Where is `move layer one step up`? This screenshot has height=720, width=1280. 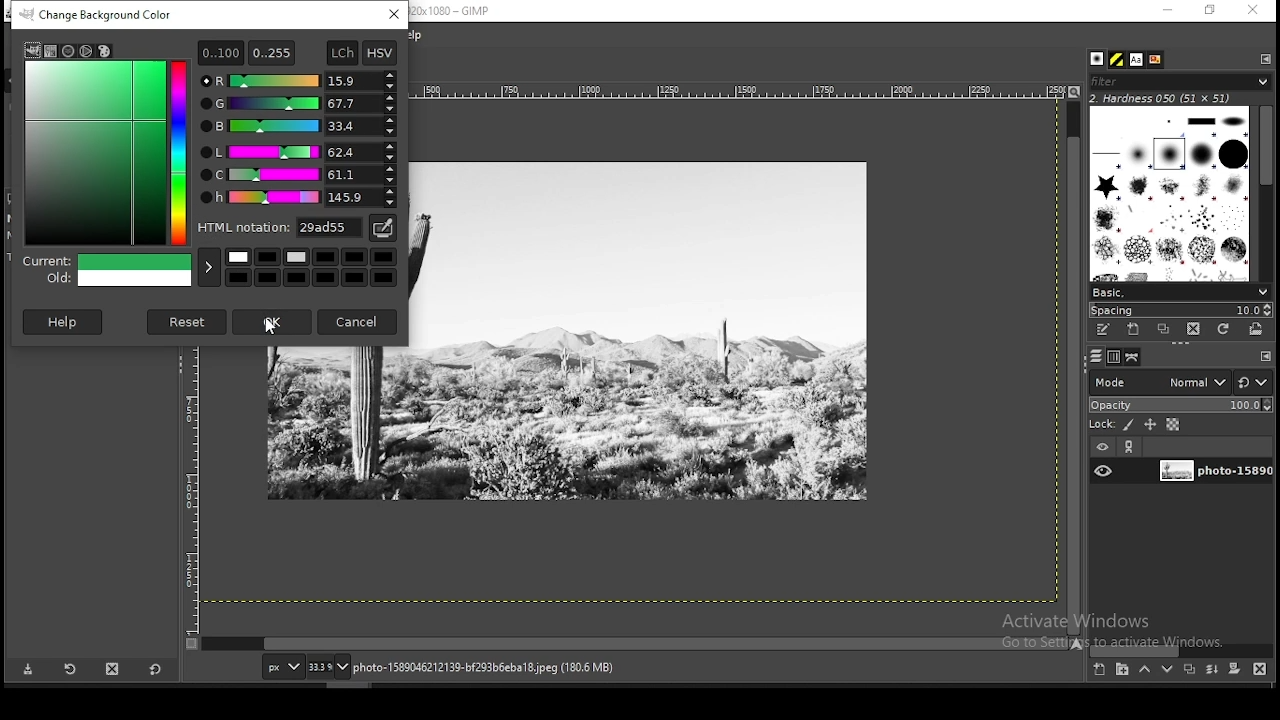 move layer one step up is located at coordinates (1144, 669).